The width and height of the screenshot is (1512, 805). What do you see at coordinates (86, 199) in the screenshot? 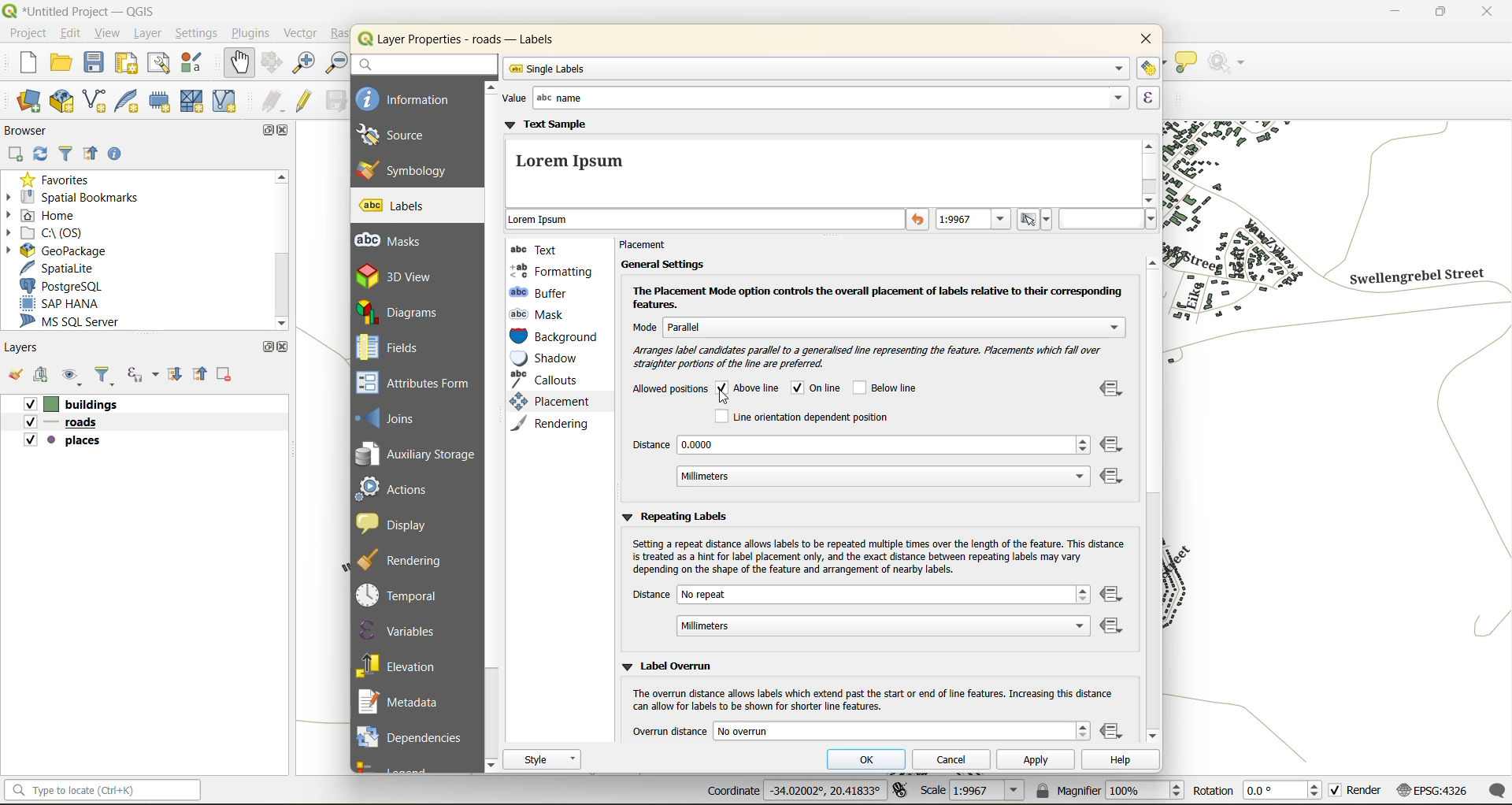
I see `spatial bookmarks` at bounding box center [86, 199].